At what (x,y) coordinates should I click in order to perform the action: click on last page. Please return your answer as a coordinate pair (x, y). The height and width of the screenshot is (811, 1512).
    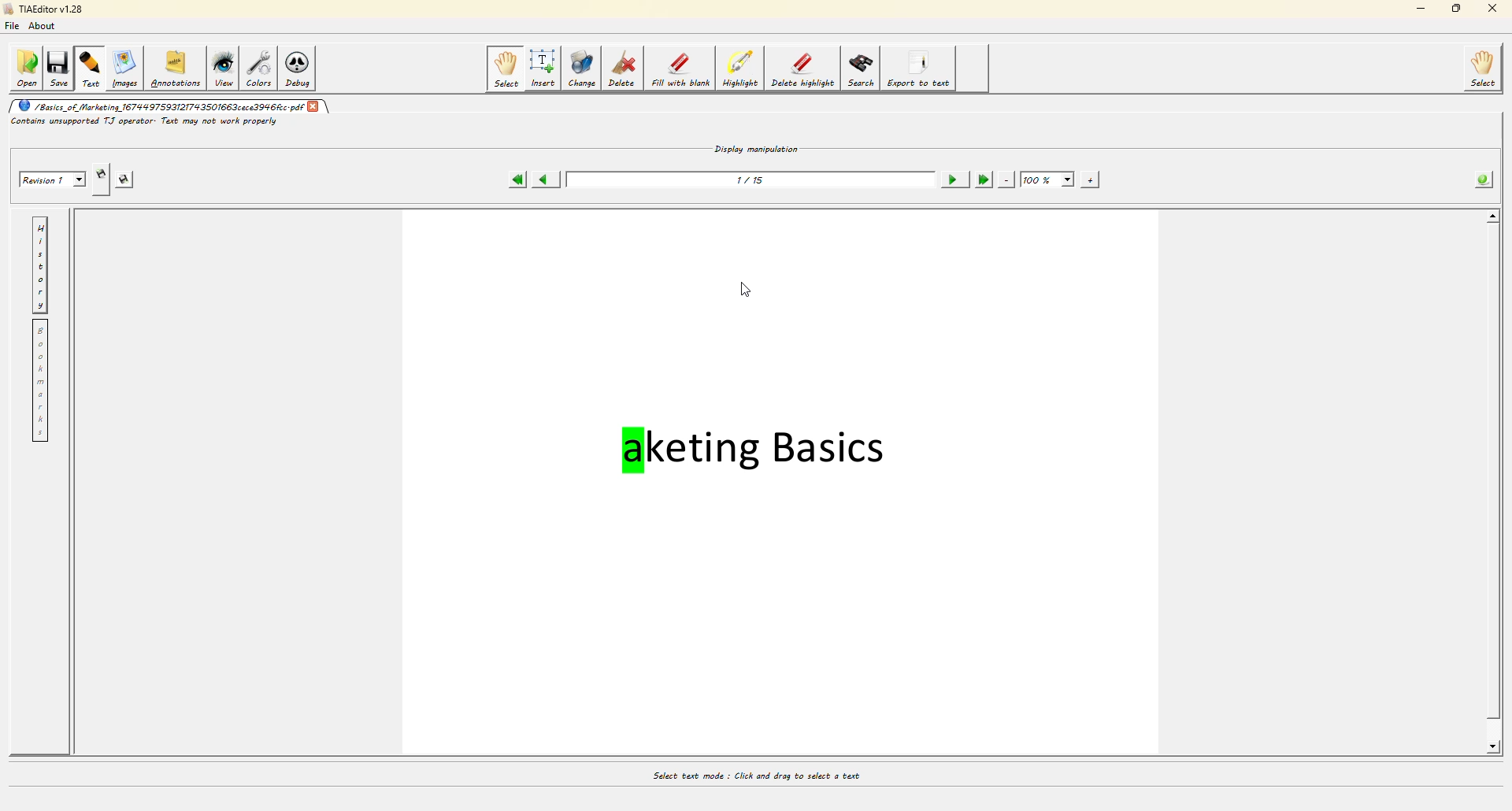
    Looking at the image, I should click on (982, 179).